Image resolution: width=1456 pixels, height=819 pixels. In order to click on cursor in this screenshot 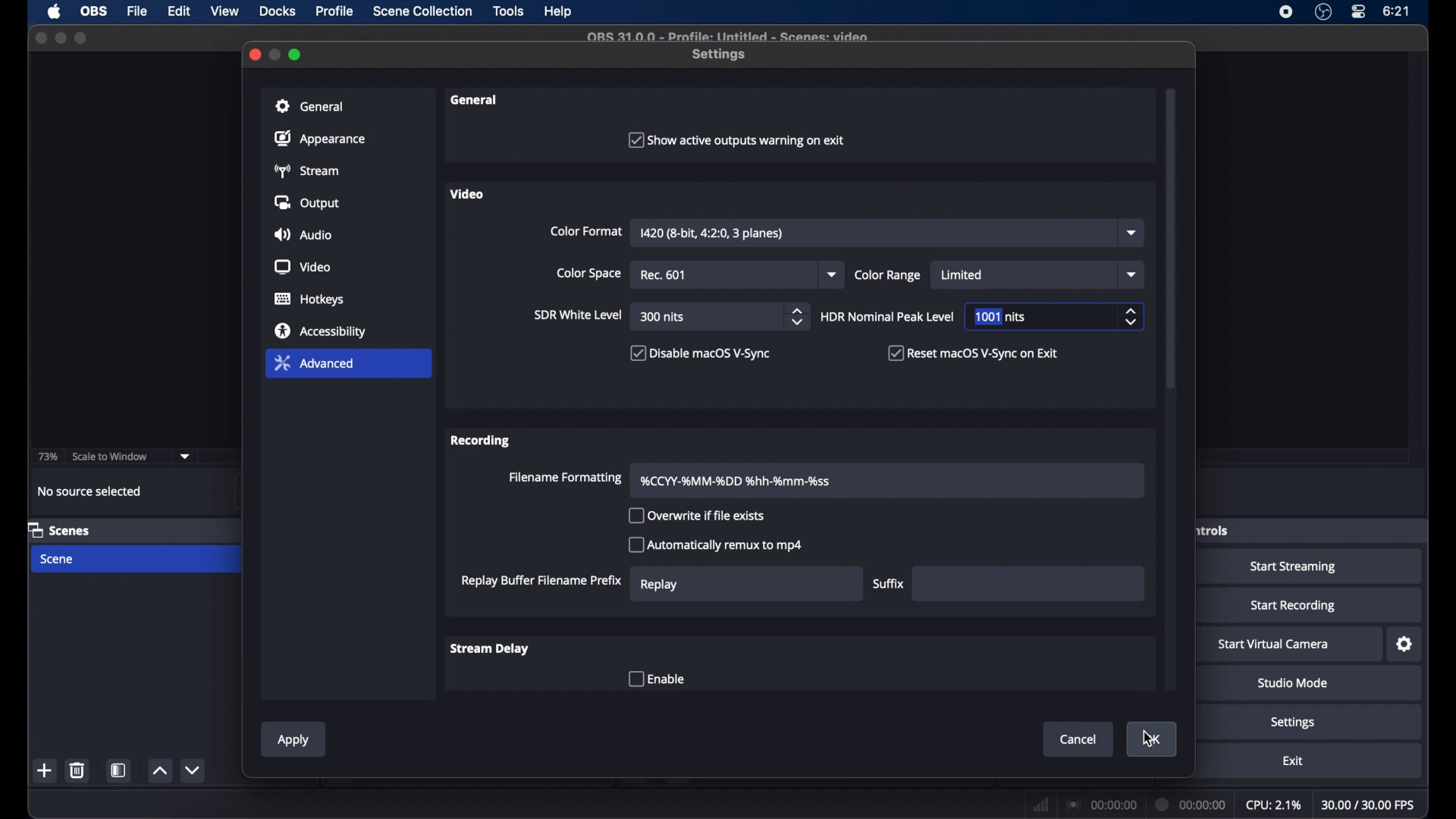, I will do `click(1150, 741)`.